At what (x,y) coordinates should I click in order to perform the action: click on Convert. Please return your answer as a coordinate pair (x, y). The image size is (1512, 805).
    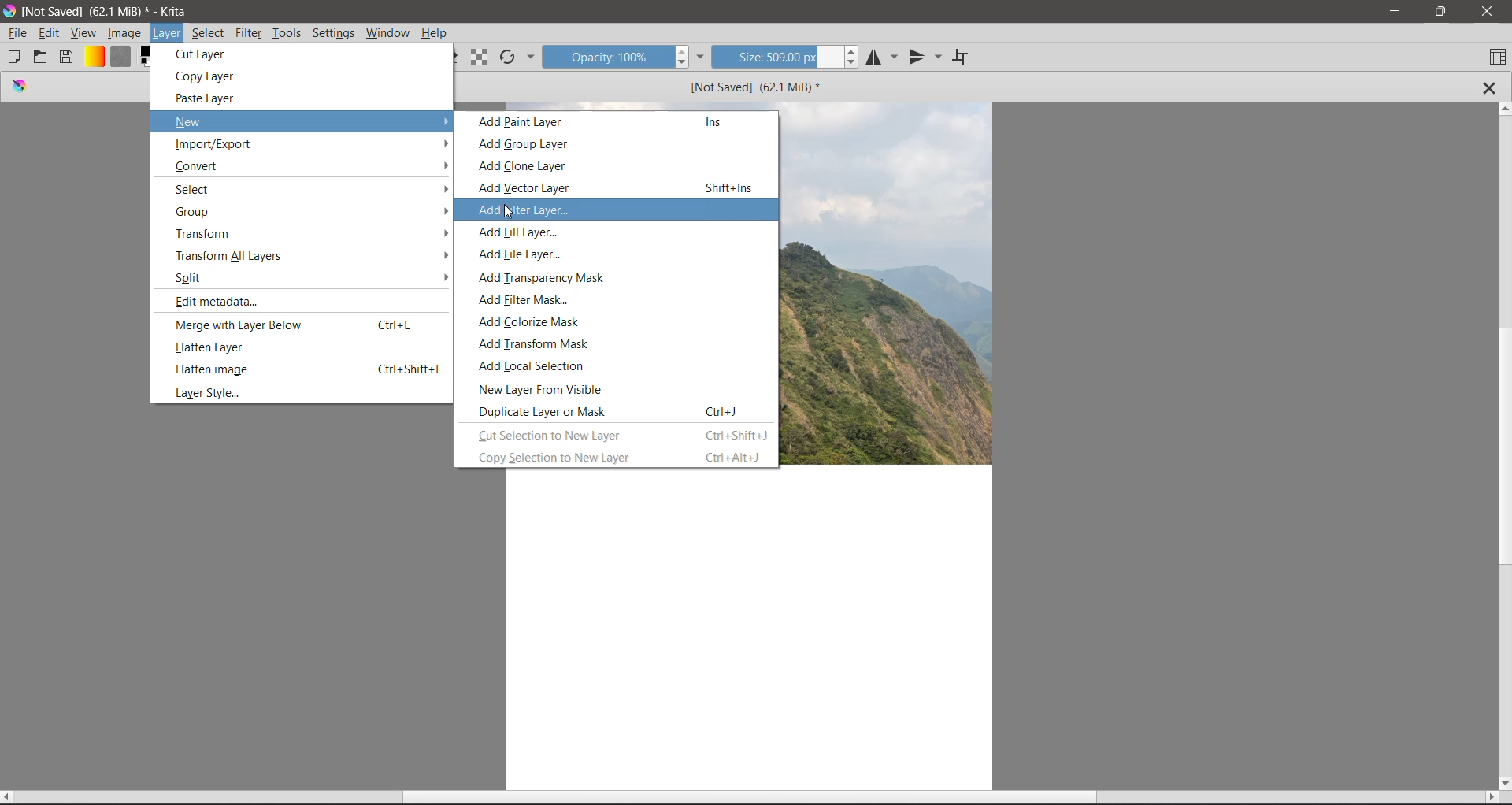
    Looking at the image, I should click on (309, 167).